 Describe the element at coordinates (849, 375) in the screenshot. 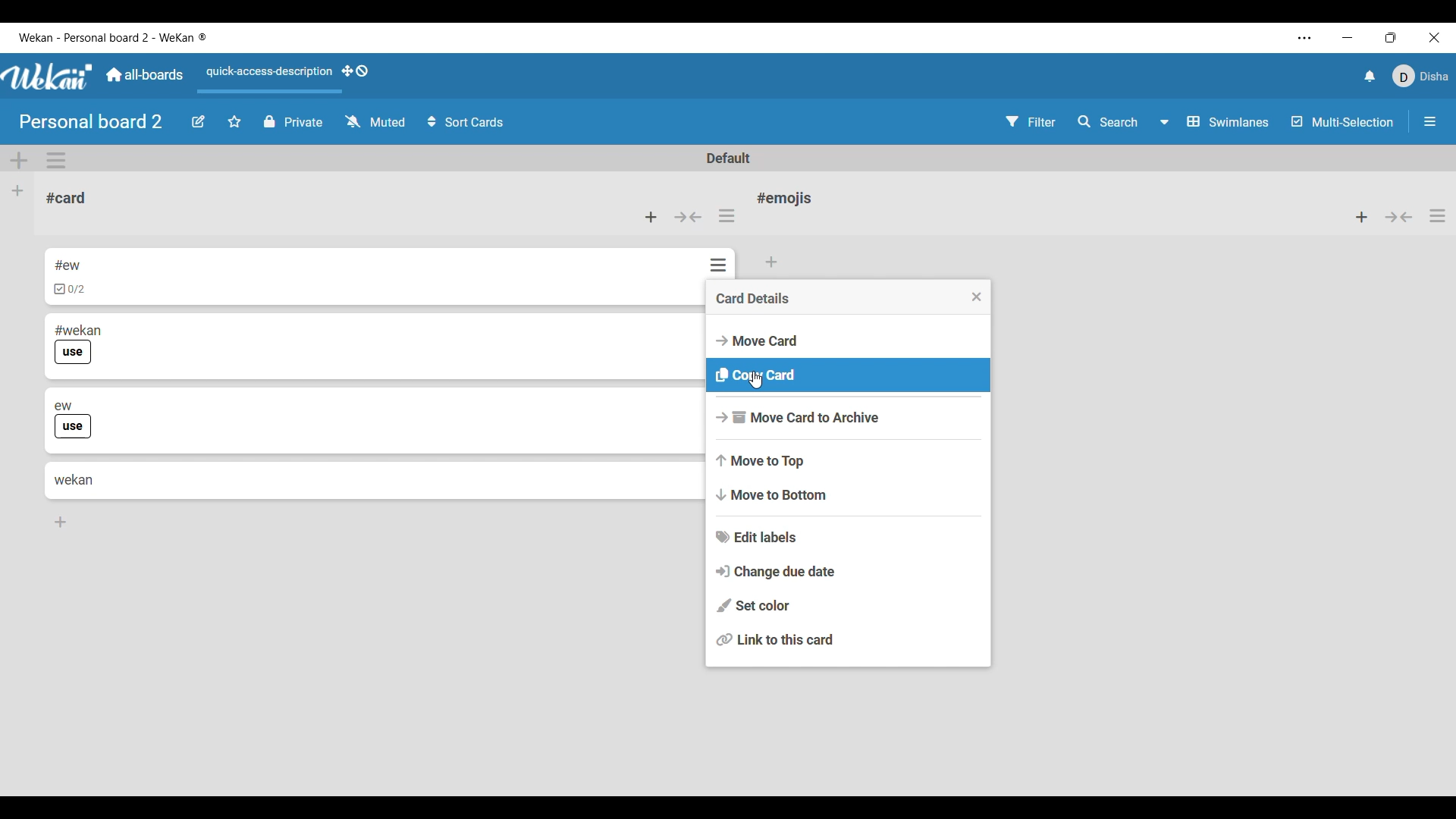

I see `Copy card option highlighted` at that location.